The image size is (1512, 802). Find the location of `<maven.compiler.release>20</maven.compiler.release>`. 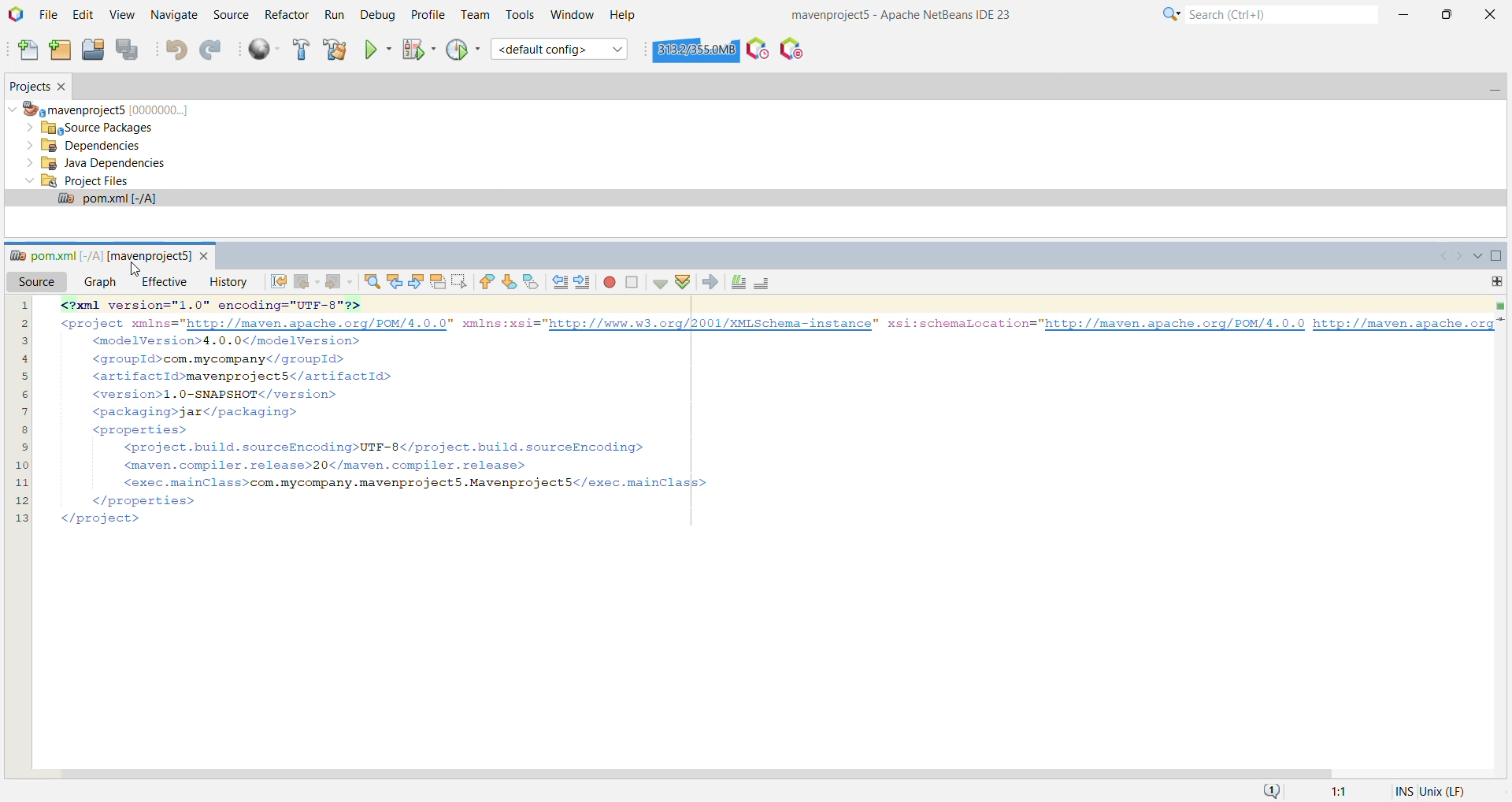

<maven.compiler.release>20</maven.compiler.release> is located at coordinates (326, 464).